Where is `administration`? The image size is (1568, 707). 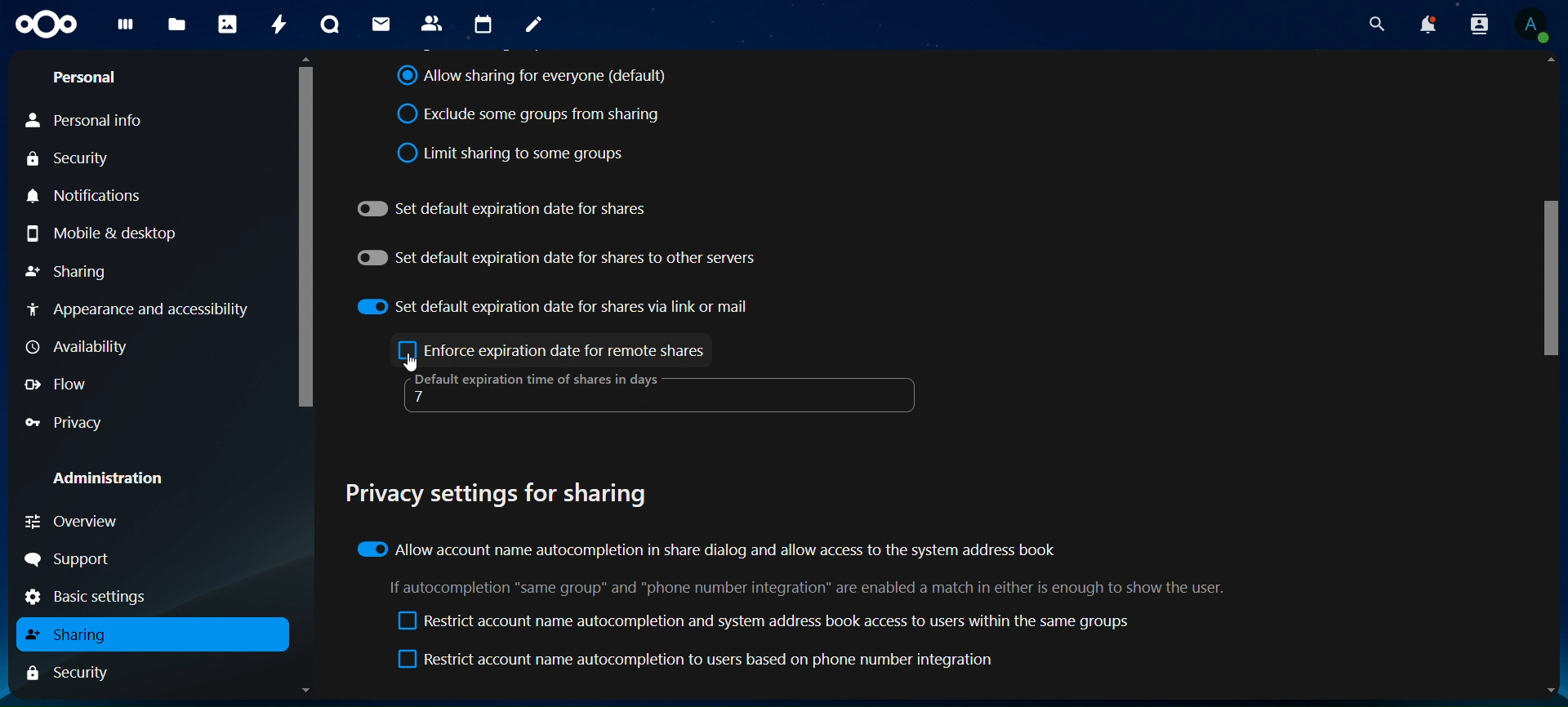 administration is located at coordinates (106, 474).